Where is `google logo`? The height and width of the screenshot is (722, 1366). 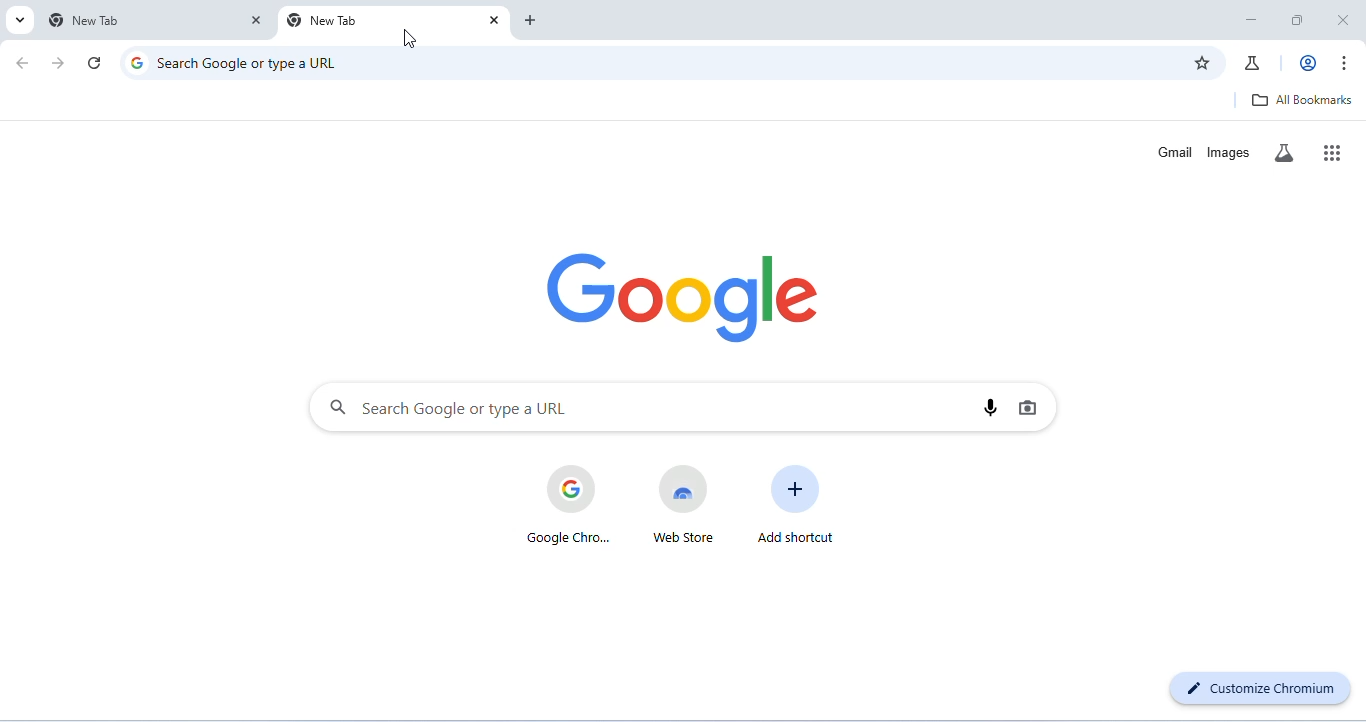 google logo is located at coordinates (684, 300).